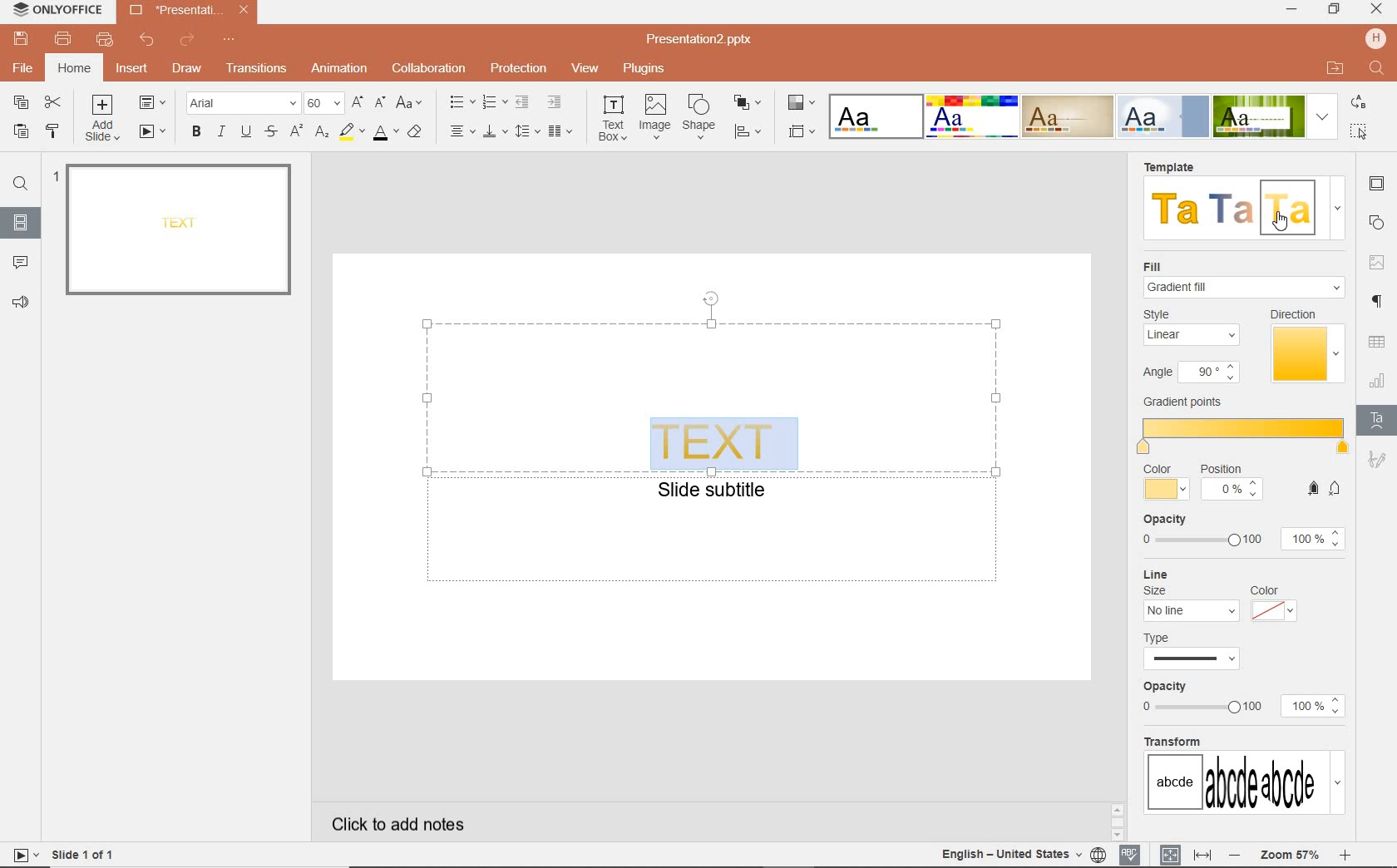  What do you see at coordinates (522, 104) in the screenshot?
I see `DECREASE INDENT` at bounding box center [522, 104].